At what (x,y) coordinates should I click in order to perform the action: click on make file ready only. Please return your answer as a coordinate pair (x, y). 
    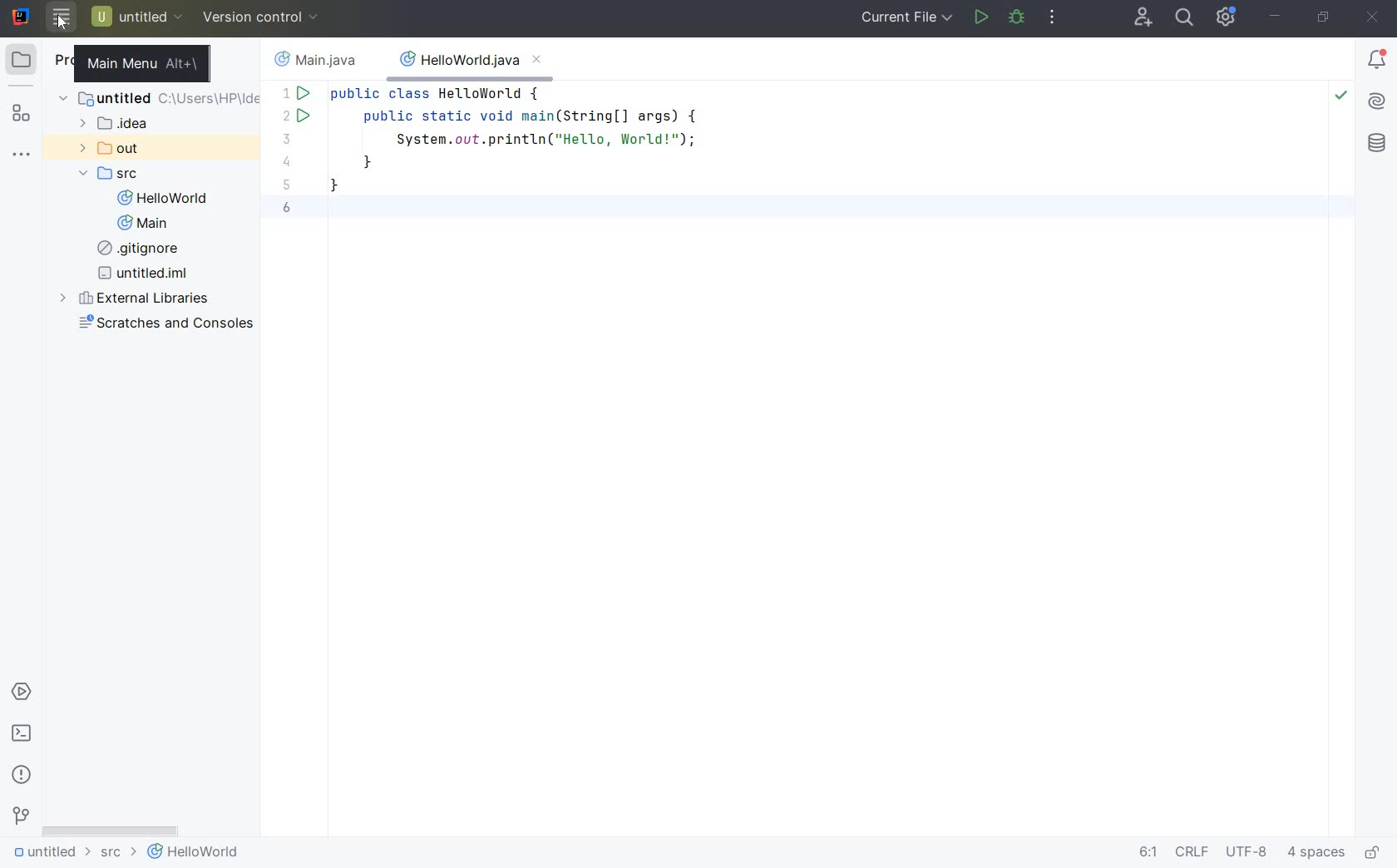
    Looking at the image, I should click on (1375, 853).